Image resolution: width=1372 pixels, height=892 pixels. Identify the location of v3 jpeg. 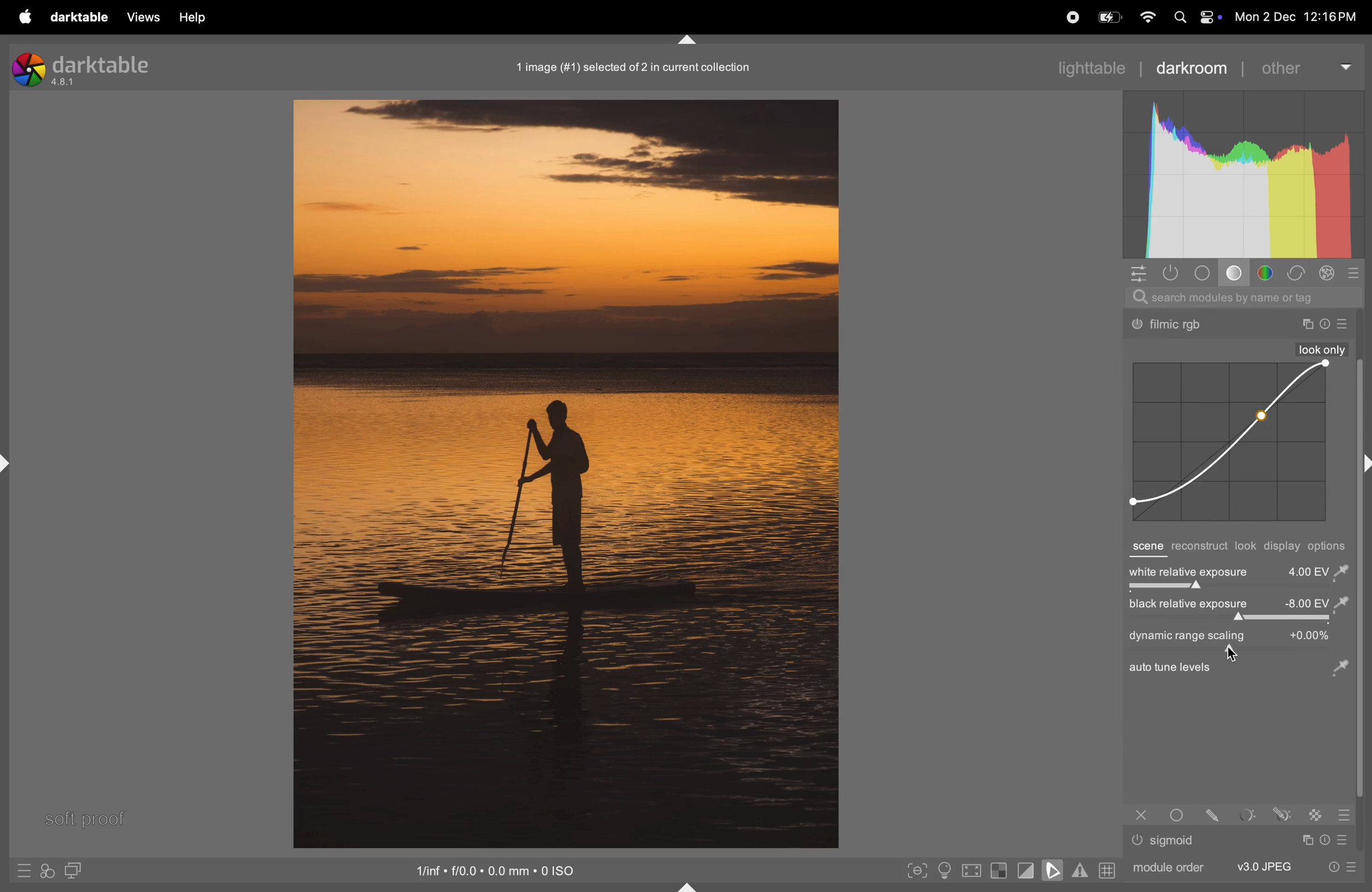
(1264, 866).